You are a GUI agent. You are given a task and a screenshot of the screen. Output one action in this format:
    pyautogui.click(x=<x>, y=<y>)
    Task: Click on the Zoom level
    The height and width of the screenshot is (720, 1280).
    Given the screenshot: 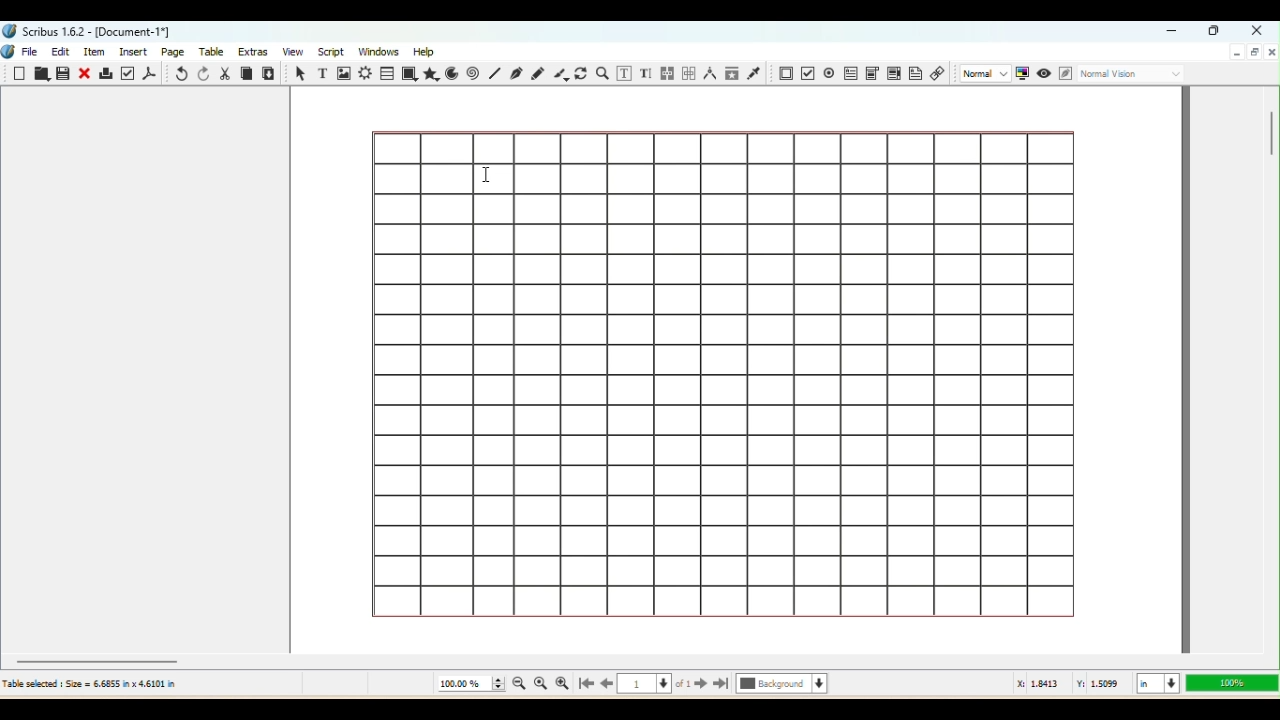 What is the action you would take?
    pyautogui.click(x=1230, y=683)
    